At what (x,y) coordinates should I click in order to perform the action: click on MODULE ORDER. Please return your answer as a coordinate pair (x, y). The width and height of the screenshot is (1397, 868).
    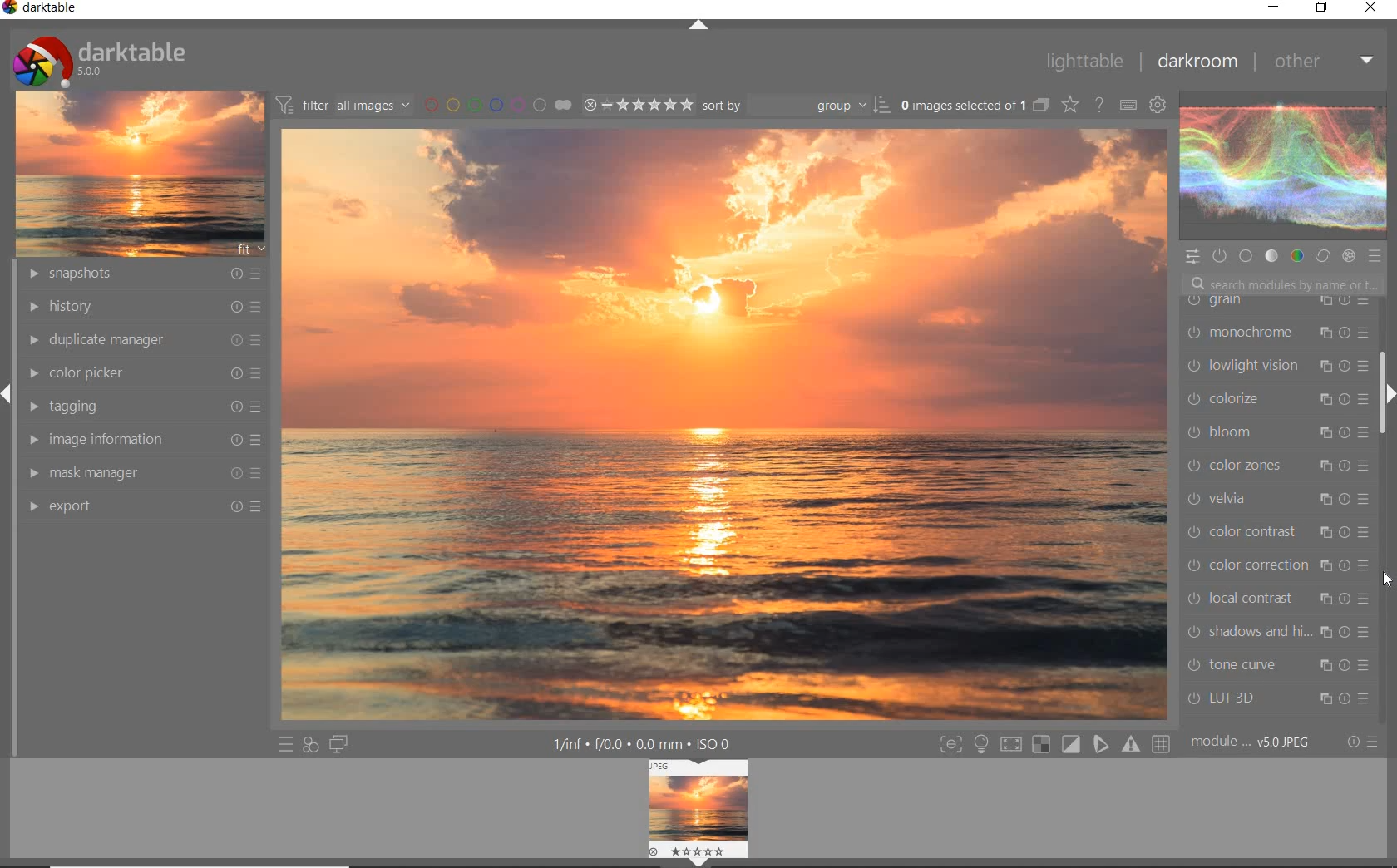
    Looking at the image, I should click on (1252, 742).